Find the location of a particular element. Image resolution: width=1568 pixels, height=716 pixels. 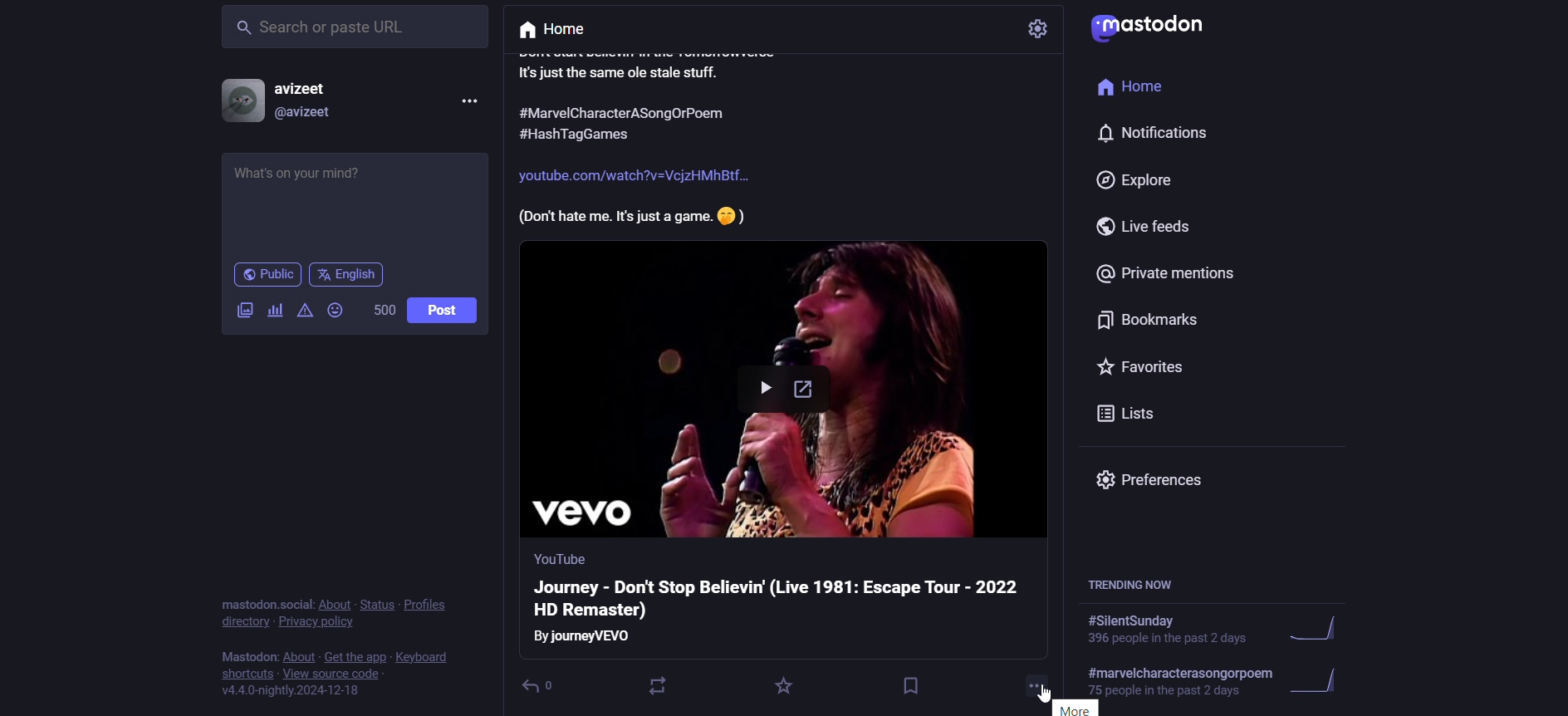

language is located at coordinates (349, 275).